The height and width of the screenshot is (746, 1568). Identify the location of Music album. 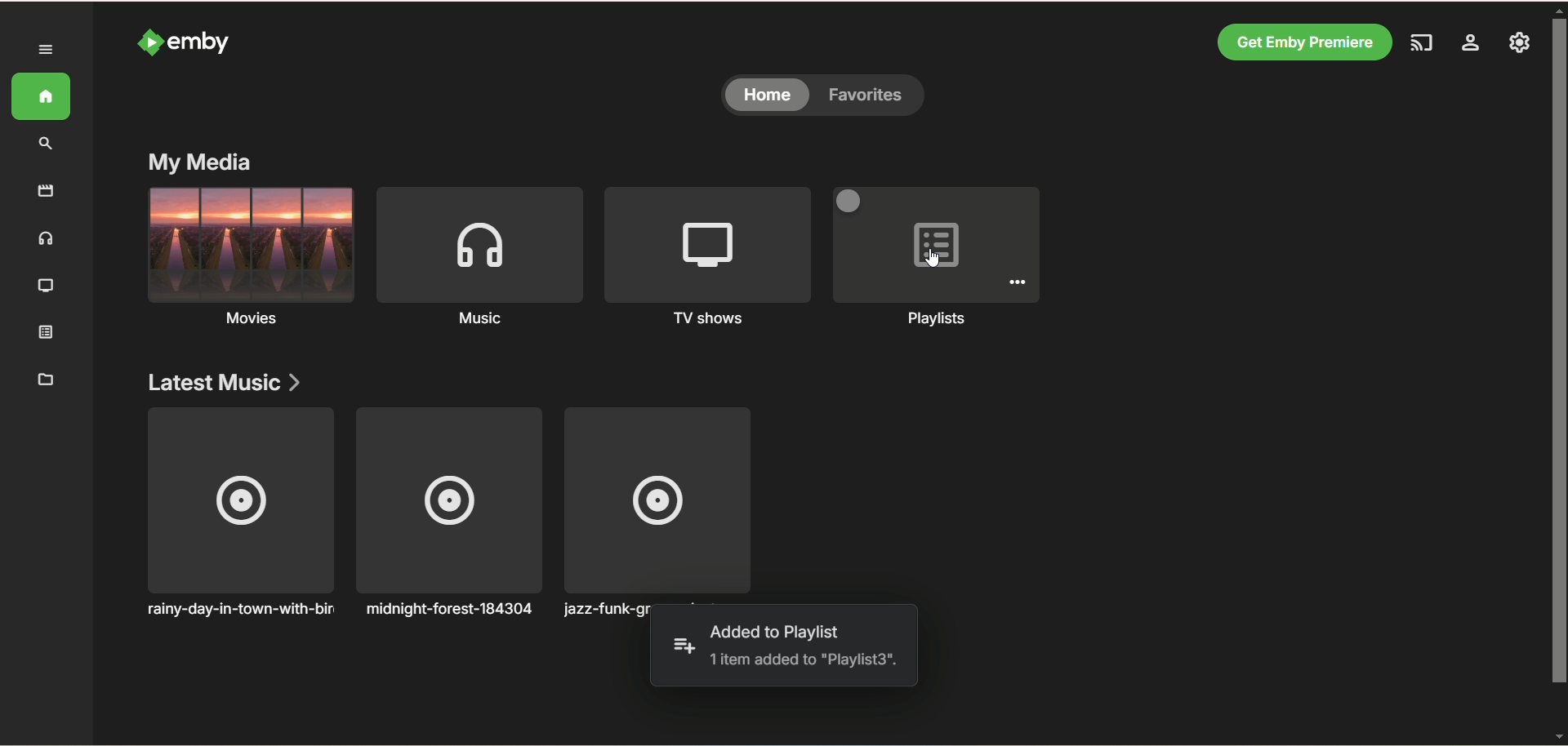
(449, 513).